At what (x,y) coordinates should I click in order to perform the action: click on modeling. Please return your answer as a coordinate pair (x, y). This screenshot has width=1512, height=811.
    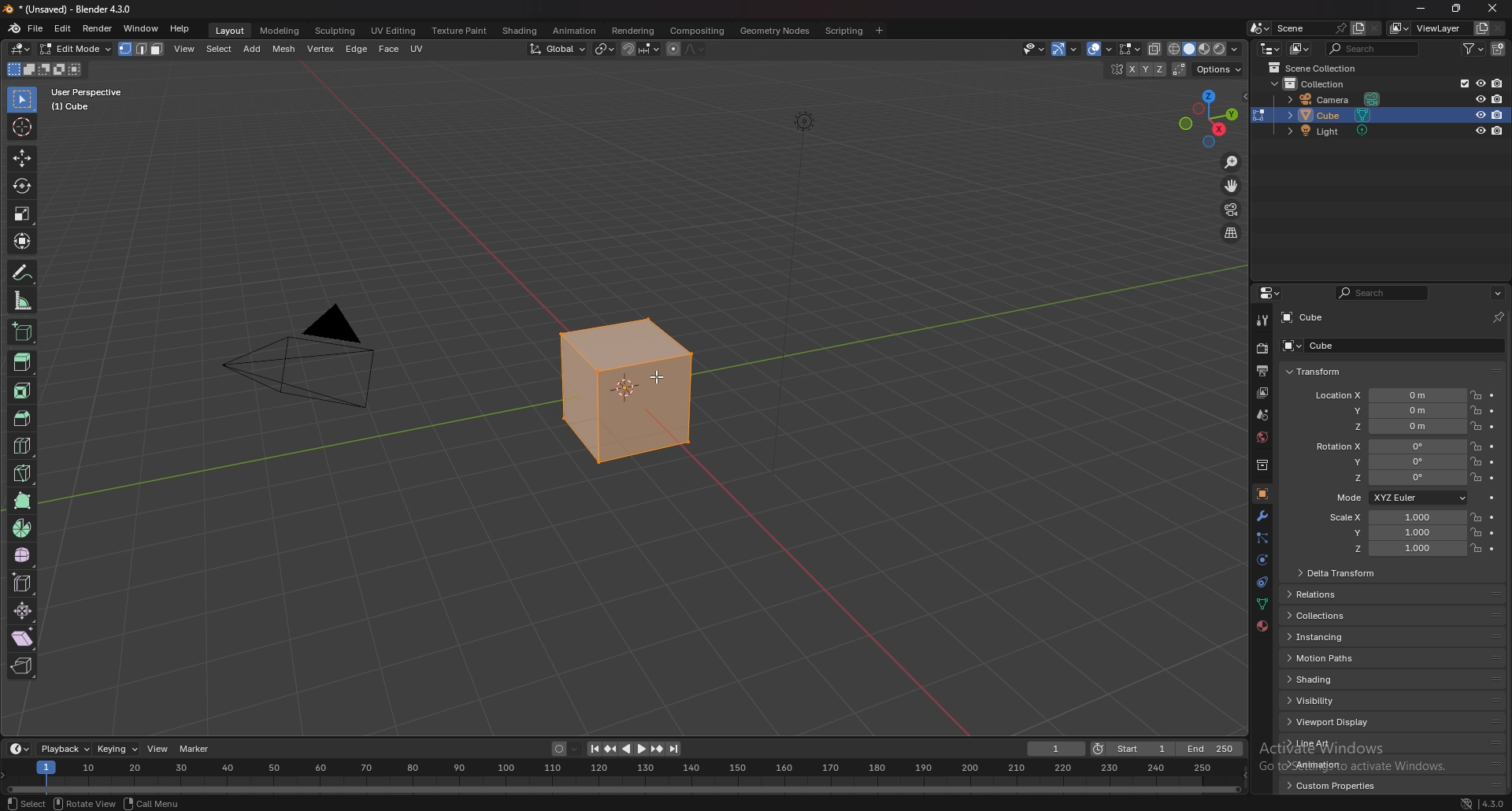
    Looking at the image, I should click on (280, 31).